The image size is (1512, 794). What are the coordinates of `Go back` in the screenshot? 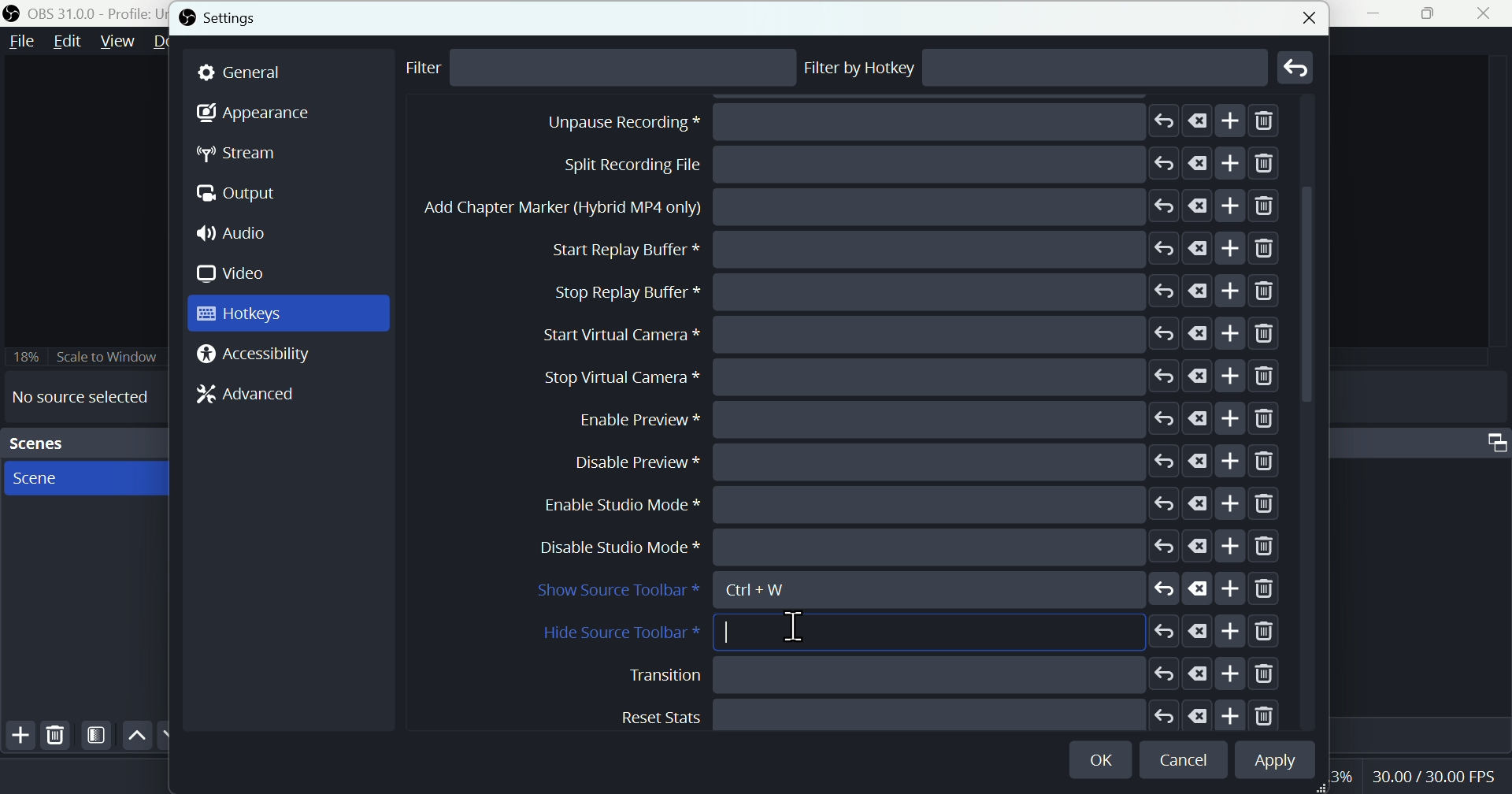 It's located at (1297, 67).